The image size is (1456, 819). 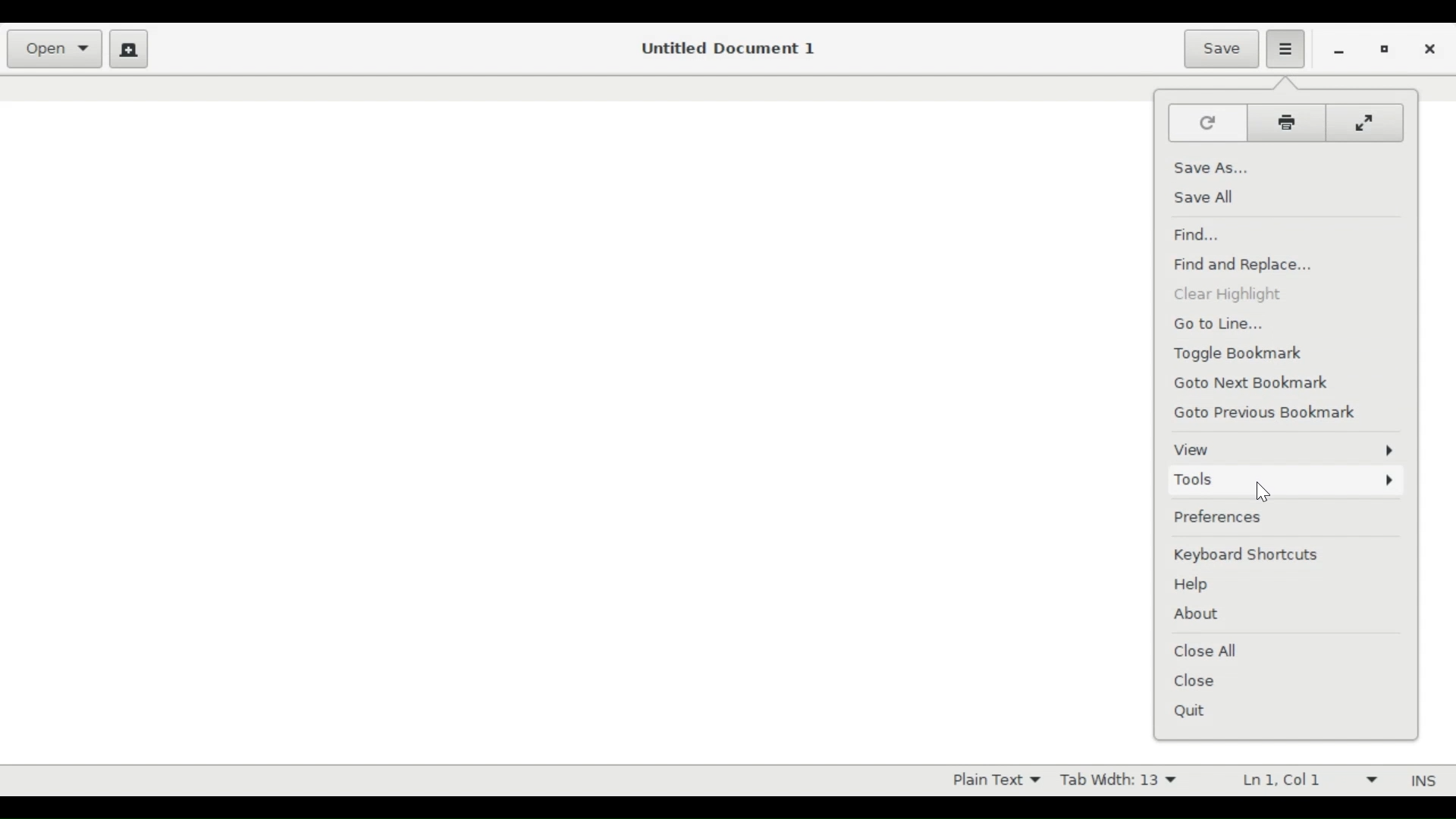 What do you see at coordinates (1275, 414) in the screenshot?
I see `Goto Previous Bookmark` at bounding box center [1275, 414].